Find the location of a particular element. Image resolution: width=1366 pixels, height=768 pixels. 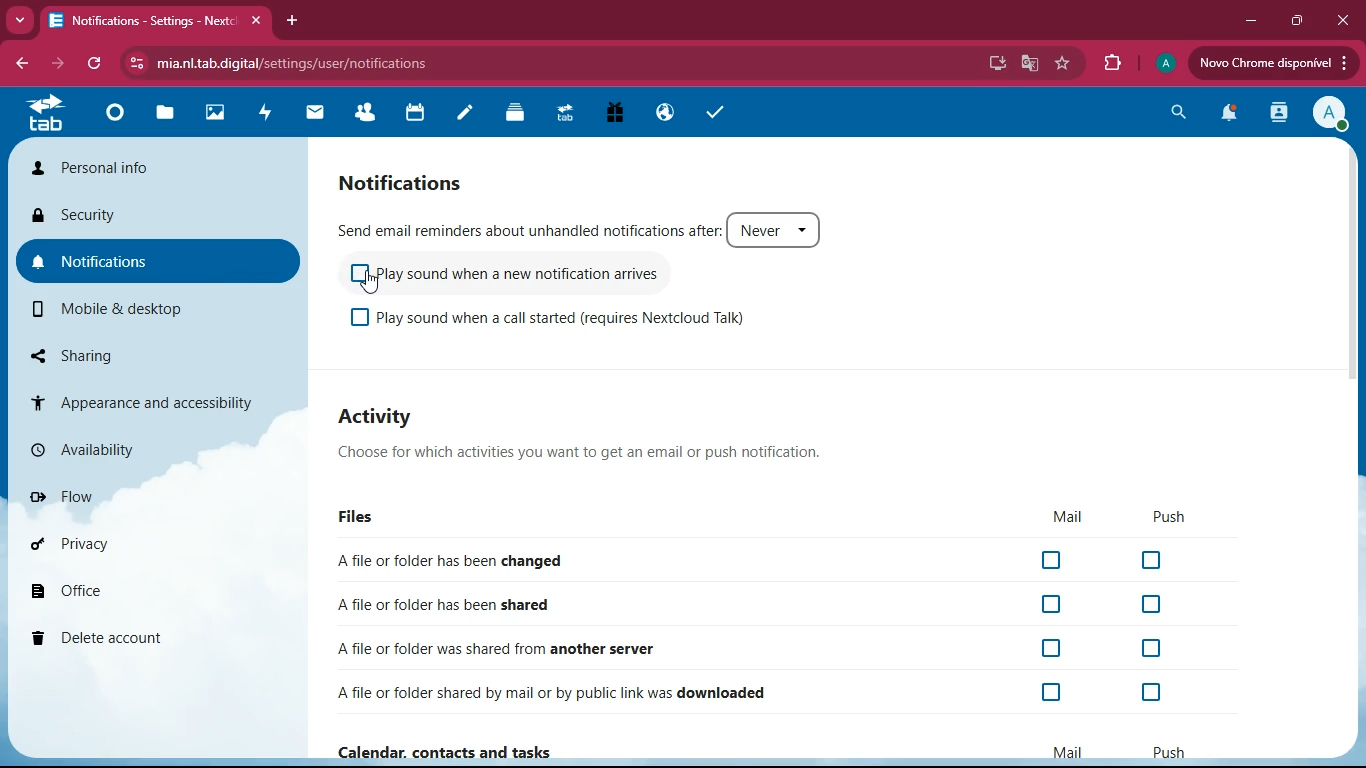

notes is located at coordinates (471, 115).